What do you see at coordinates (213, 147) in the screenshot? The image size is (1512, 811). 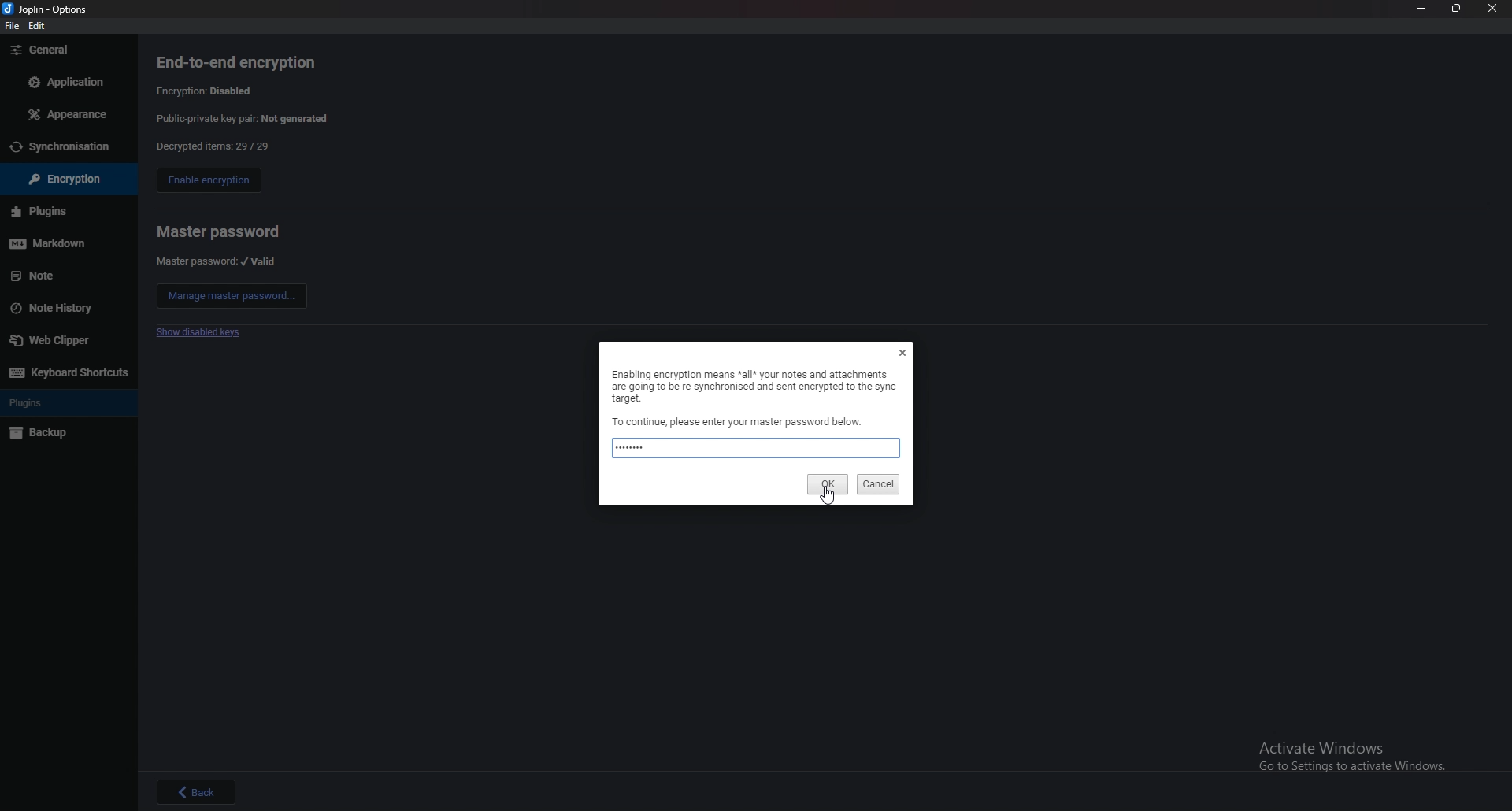 I see `decrypted items 29/29` at bounding box center [213, 147].